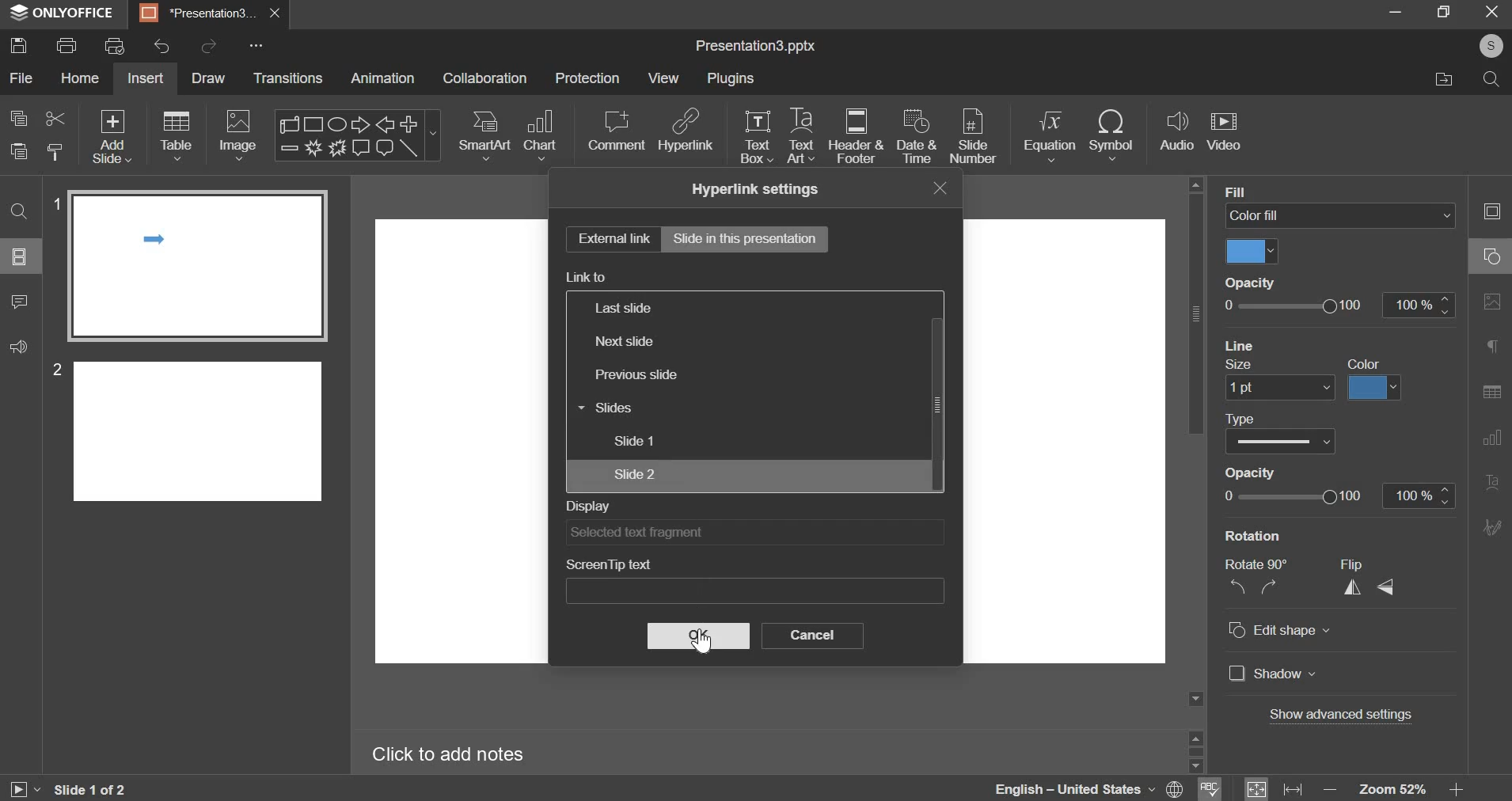 The height and width of the screenshot is (801, 1512). Describe the element at coordinates (237, 135) in the screenshot. I see `image` at that location.